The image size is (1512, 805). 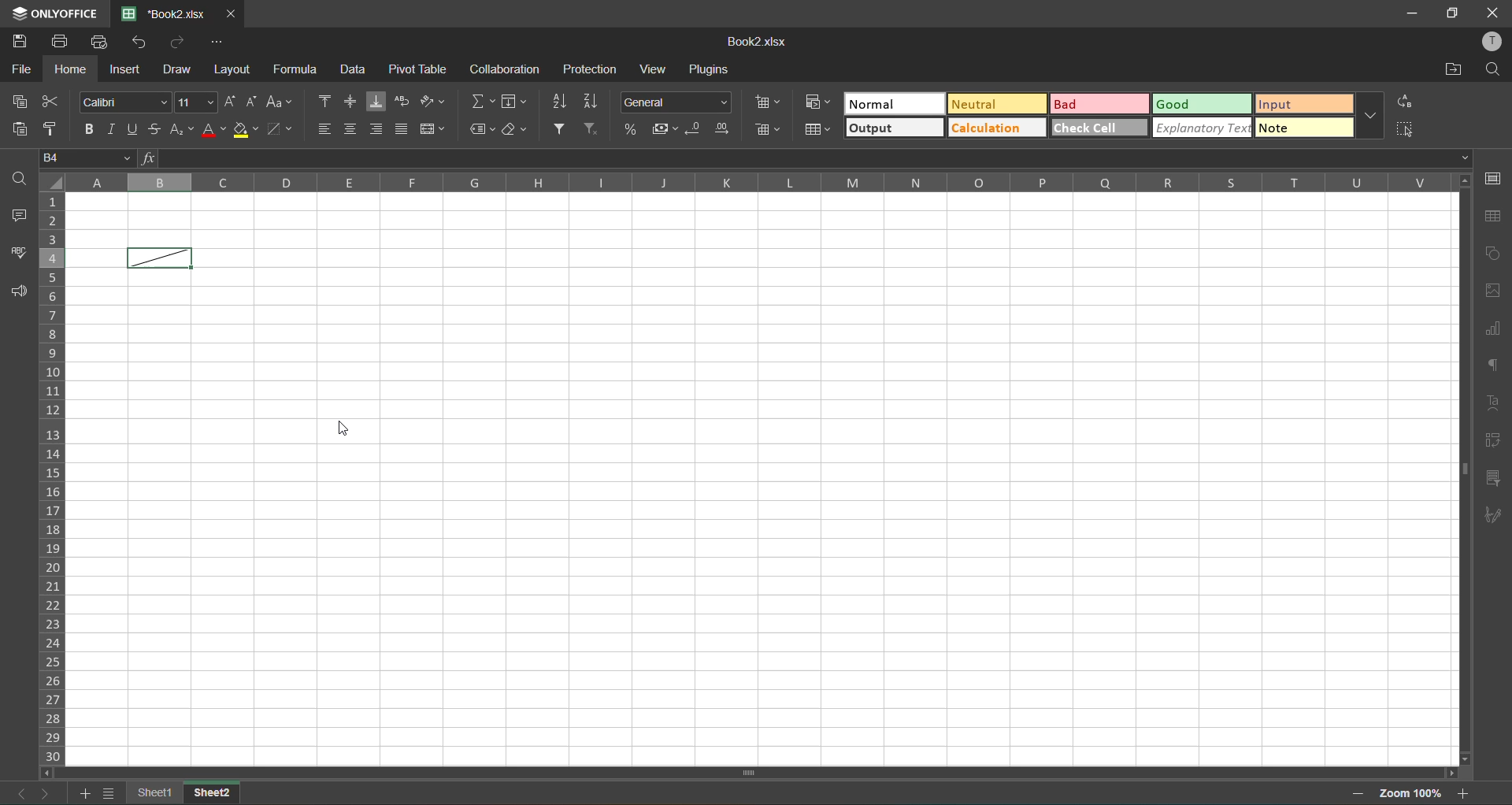 What do you see at coordinates (18, 217) in the screenshot?
I see `comments` at bounding box center [18, 217].